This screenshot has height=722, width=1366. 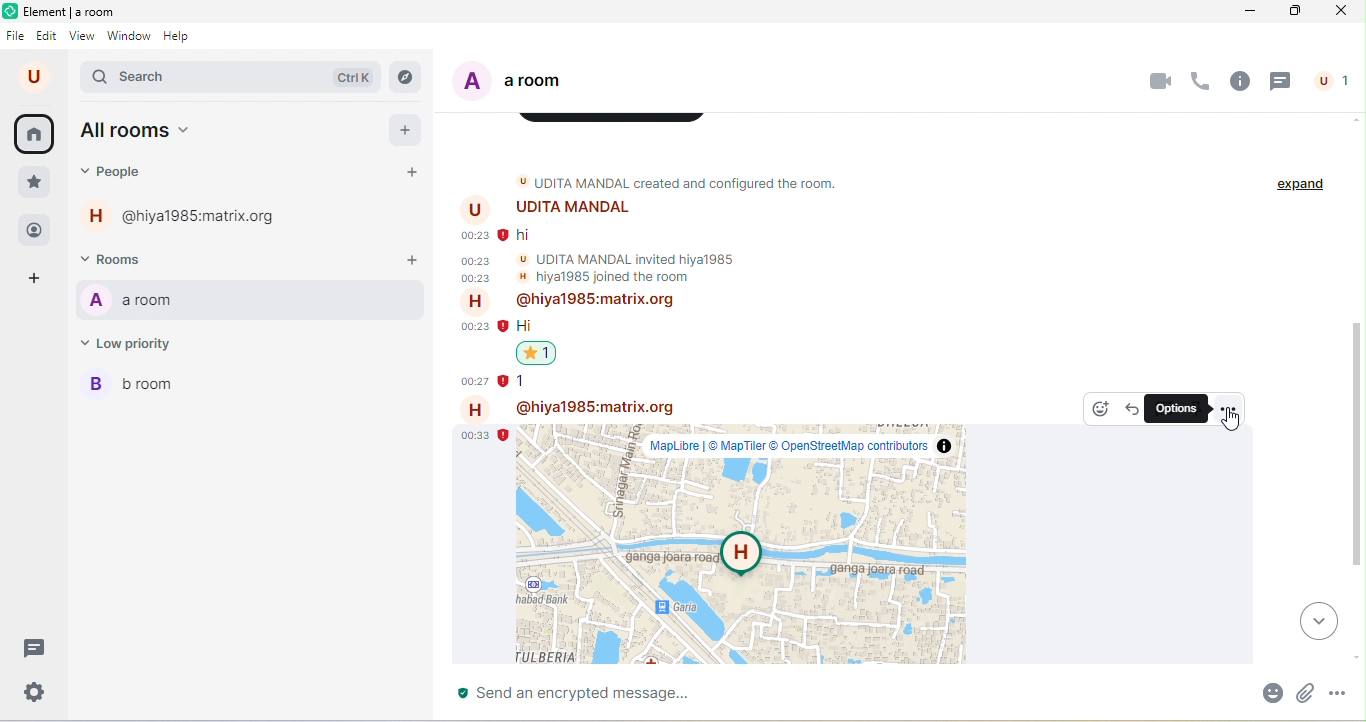 I want to click on attachment, so click(x=1308, y=693).